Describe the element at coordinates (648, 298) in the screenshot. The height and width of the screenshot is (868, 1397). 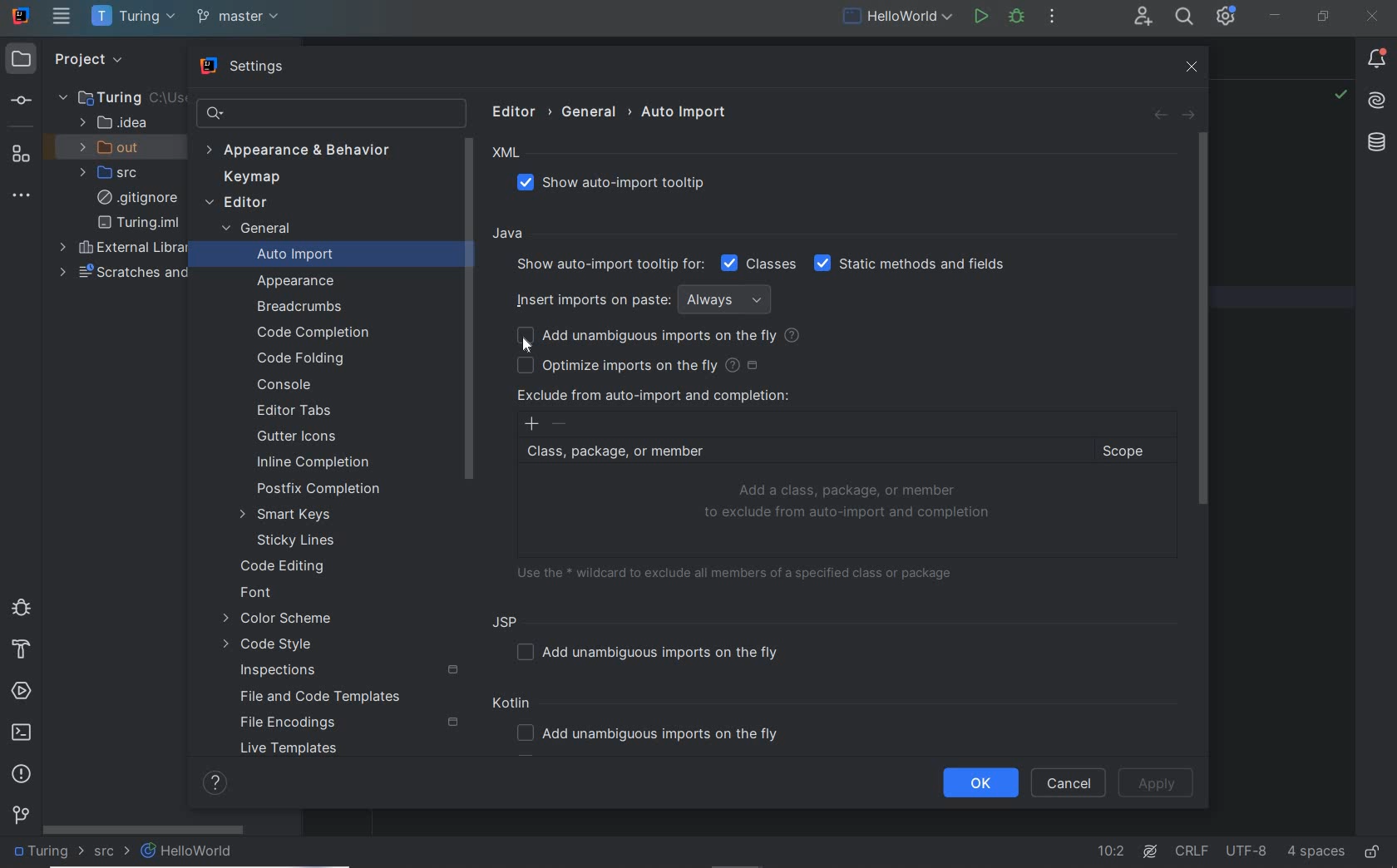
I see `INSERT IMPORTS ON PASTE:ALWAYS` at that location.